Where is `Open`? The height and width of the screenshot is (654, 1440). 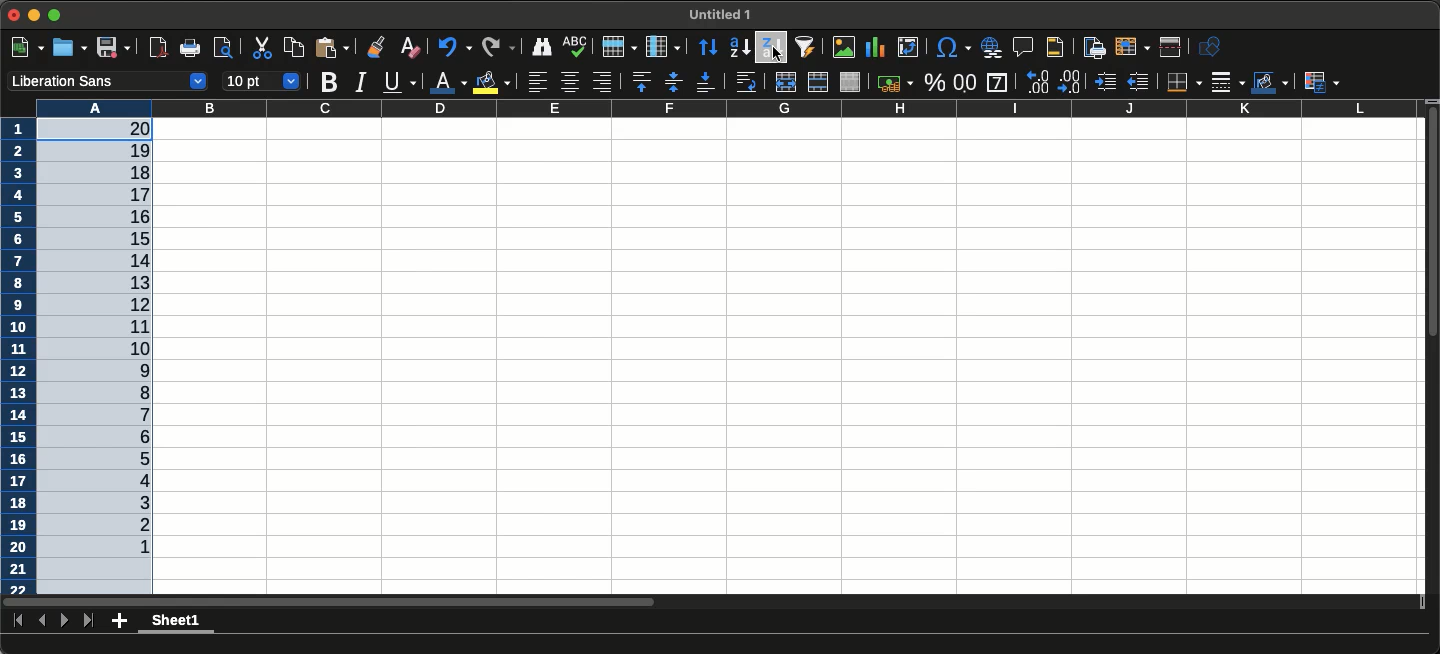 Open is located at coordinates (69, 48).